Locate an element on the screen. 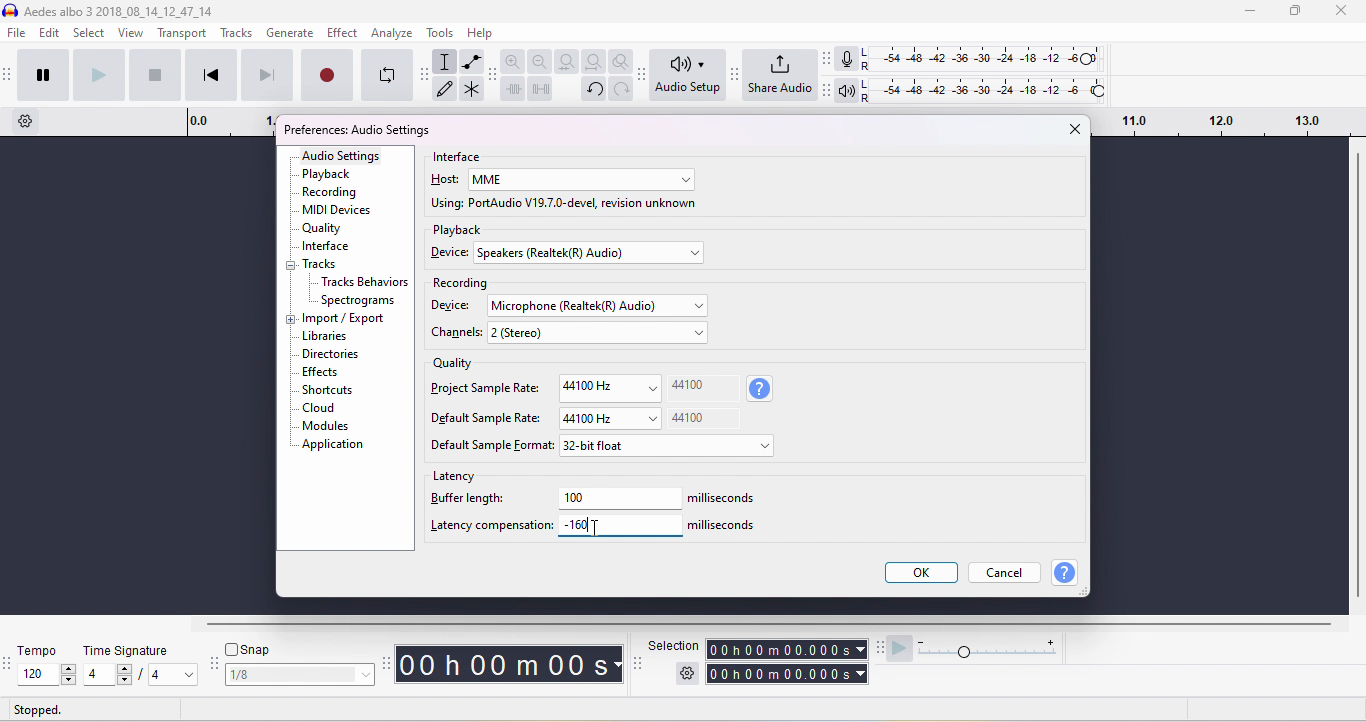 The image size is (1366, 722). audacity edit toolbar is located at coordinates (492, 74).